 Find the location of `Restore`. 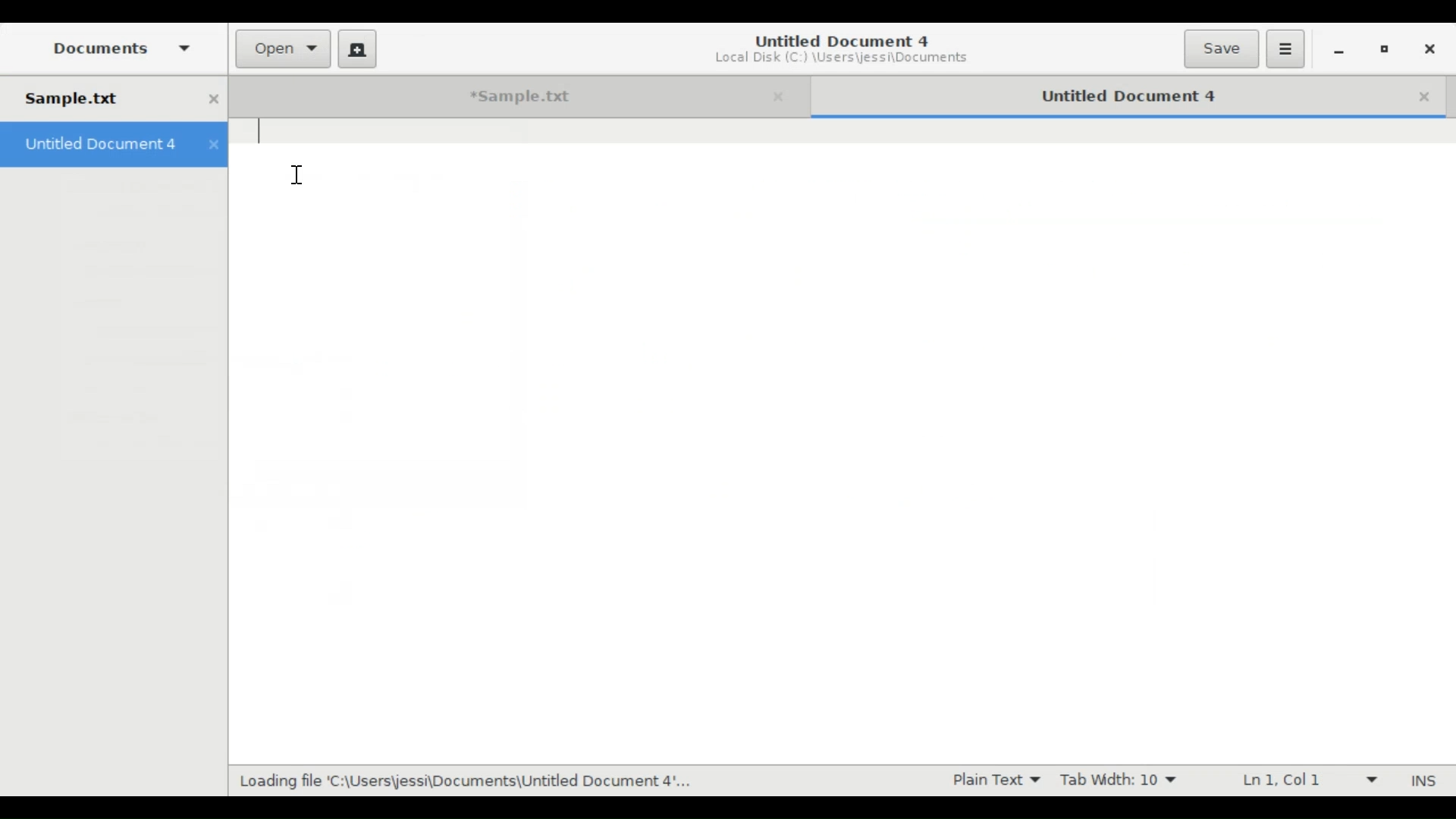

Restore is located at coordinates (1385, 49).